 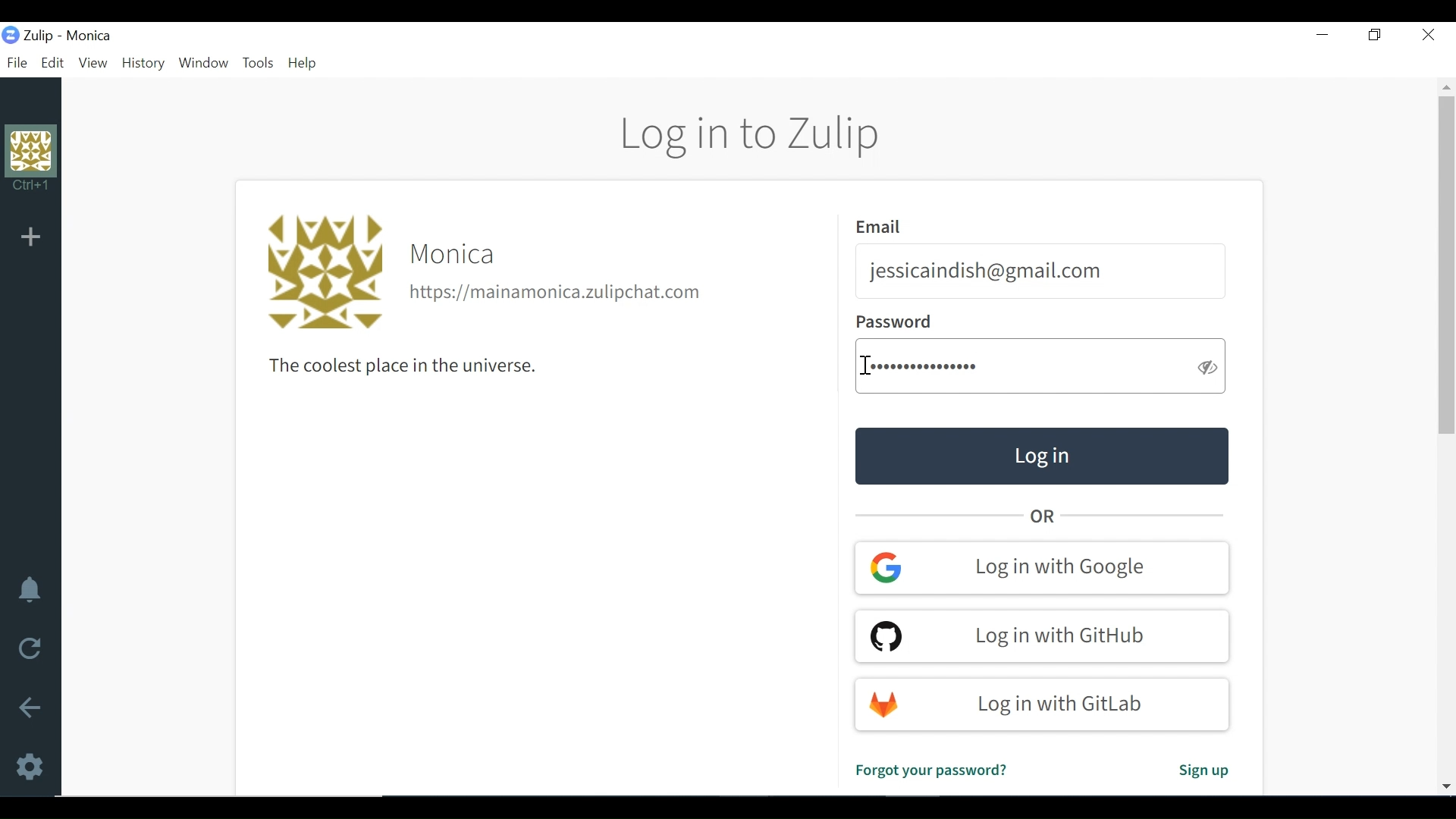 What do you see at coordinates (1044, 704) in the screenshot?
I see `Log in with Gitlab` at bounding box center [1044, 704].